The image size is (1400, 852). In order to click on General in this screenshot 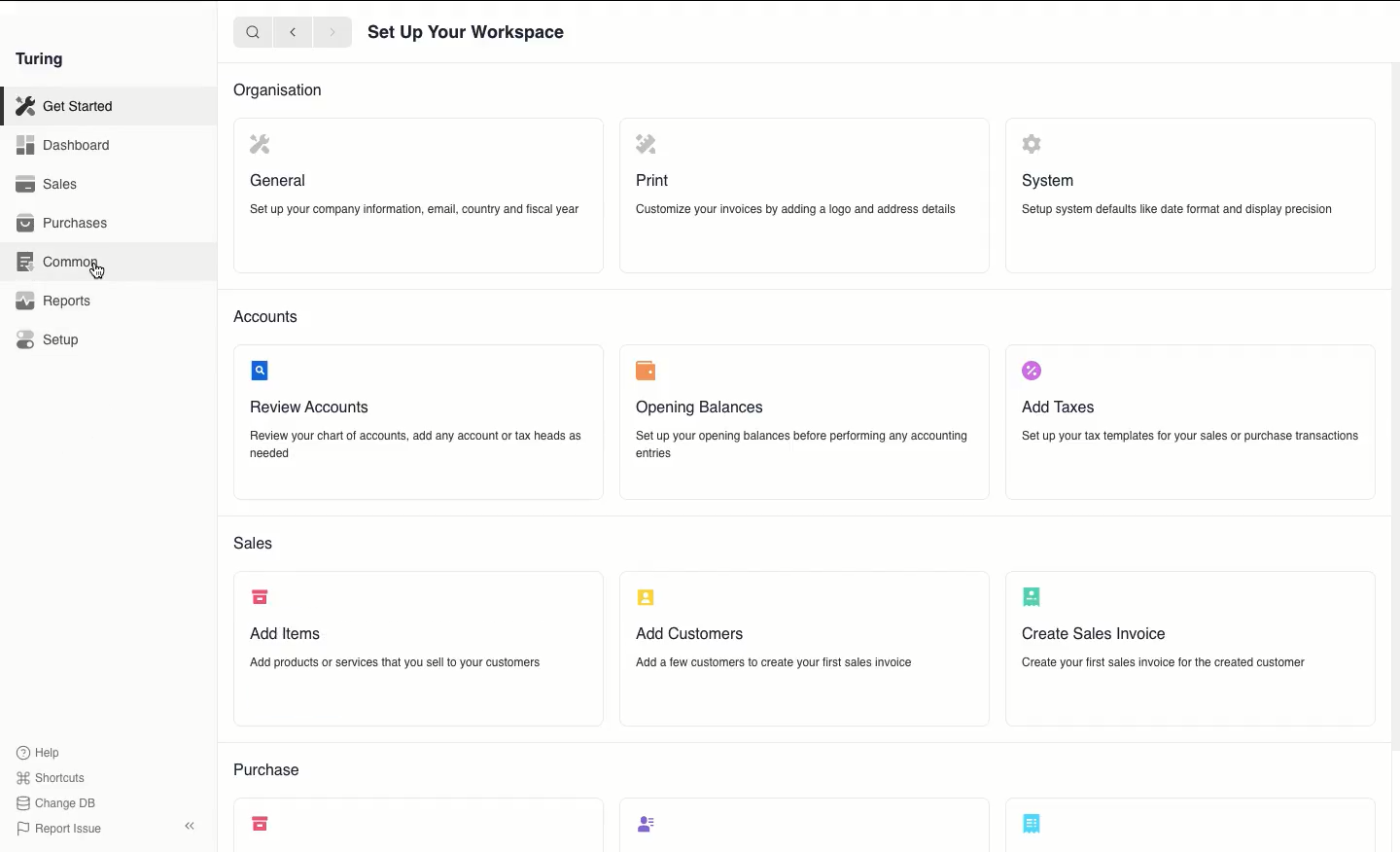, I will do `click(280, 159)`.